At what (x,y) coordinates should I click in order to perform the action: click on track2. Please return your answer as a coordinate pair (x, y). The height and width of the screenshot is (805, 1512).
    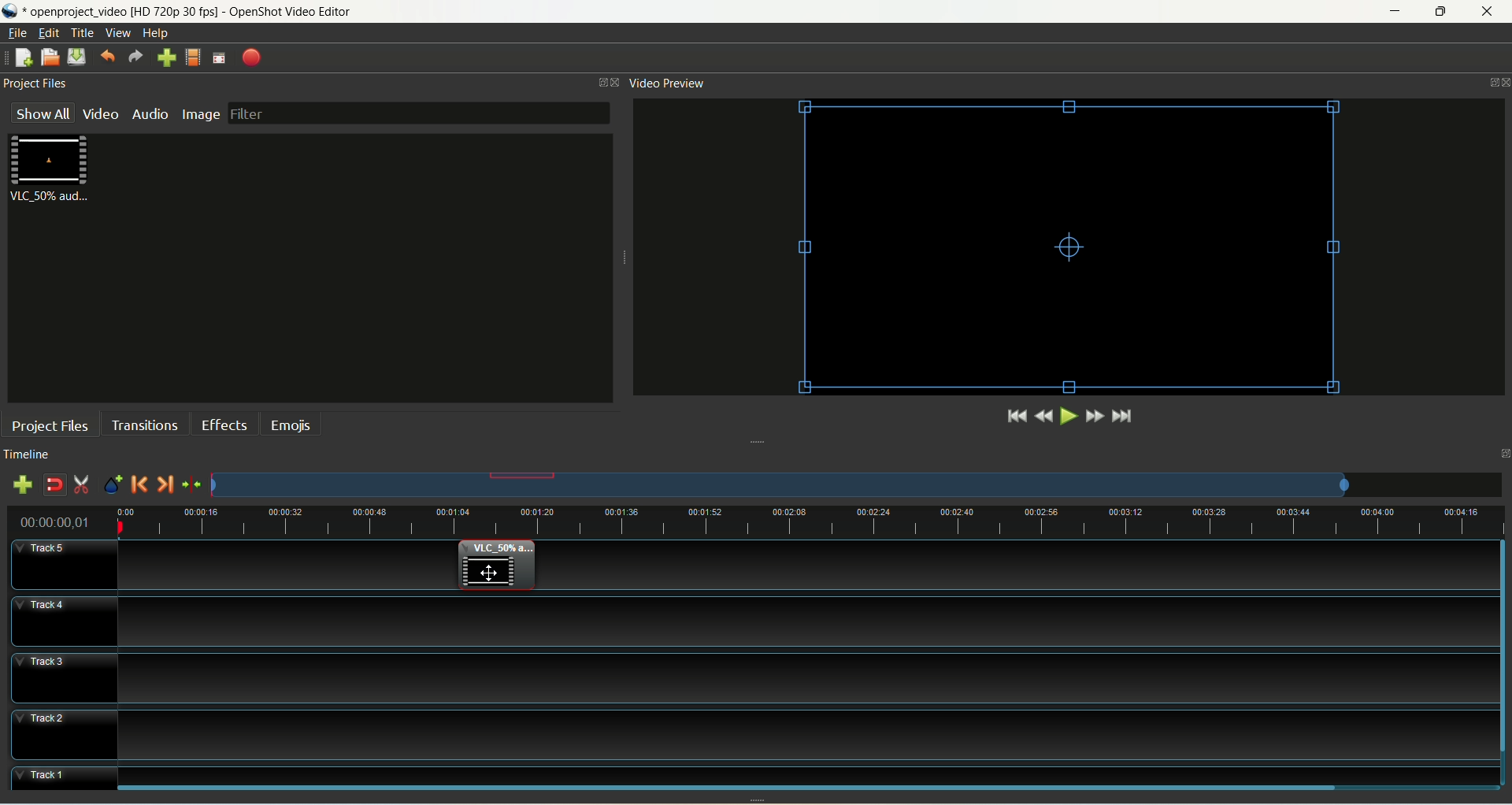
    Looking at the image, I should click on (64, 735).